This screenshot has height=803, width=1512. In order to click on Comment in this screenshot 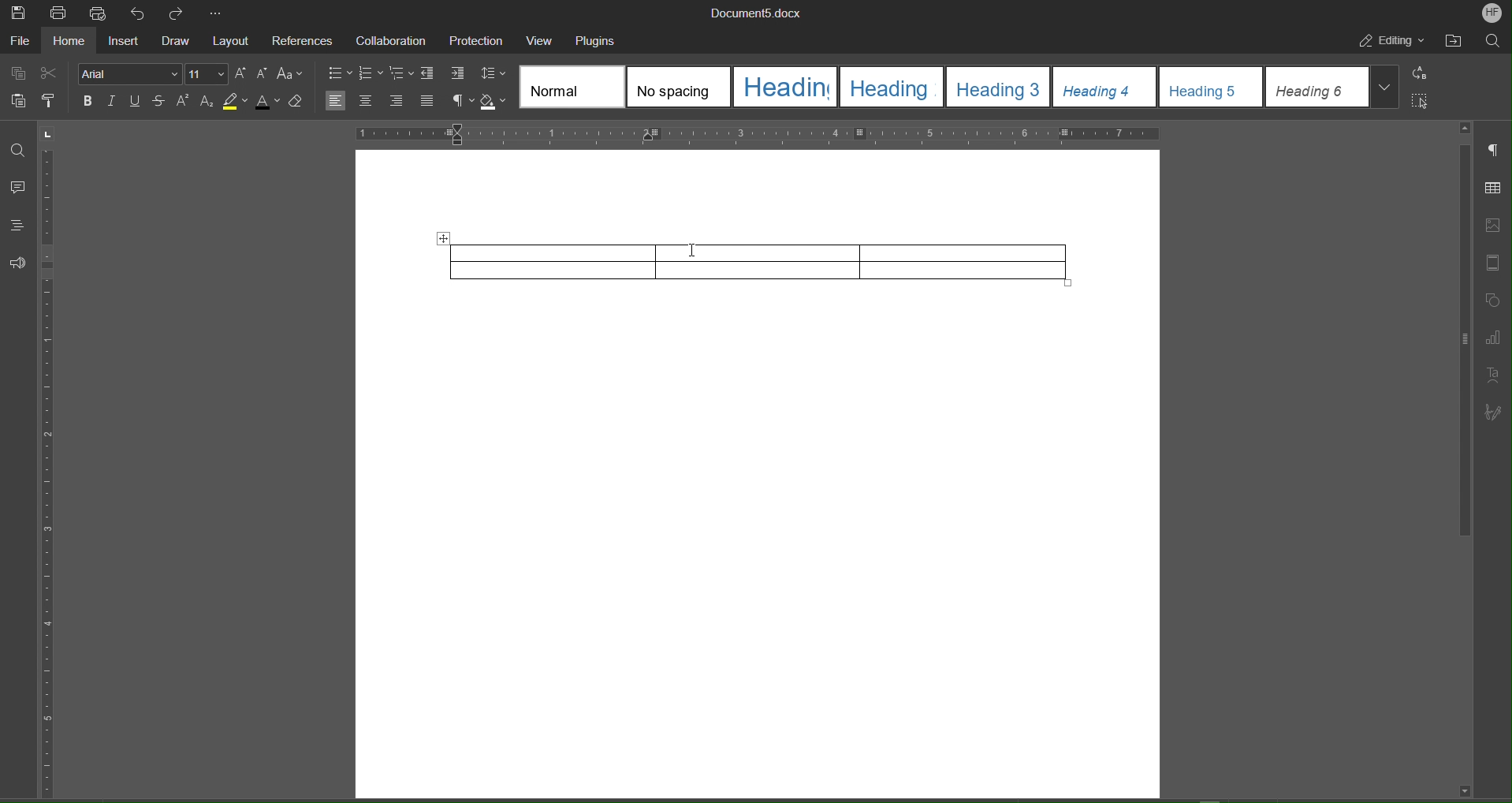, I will do `click(19, 189)`.